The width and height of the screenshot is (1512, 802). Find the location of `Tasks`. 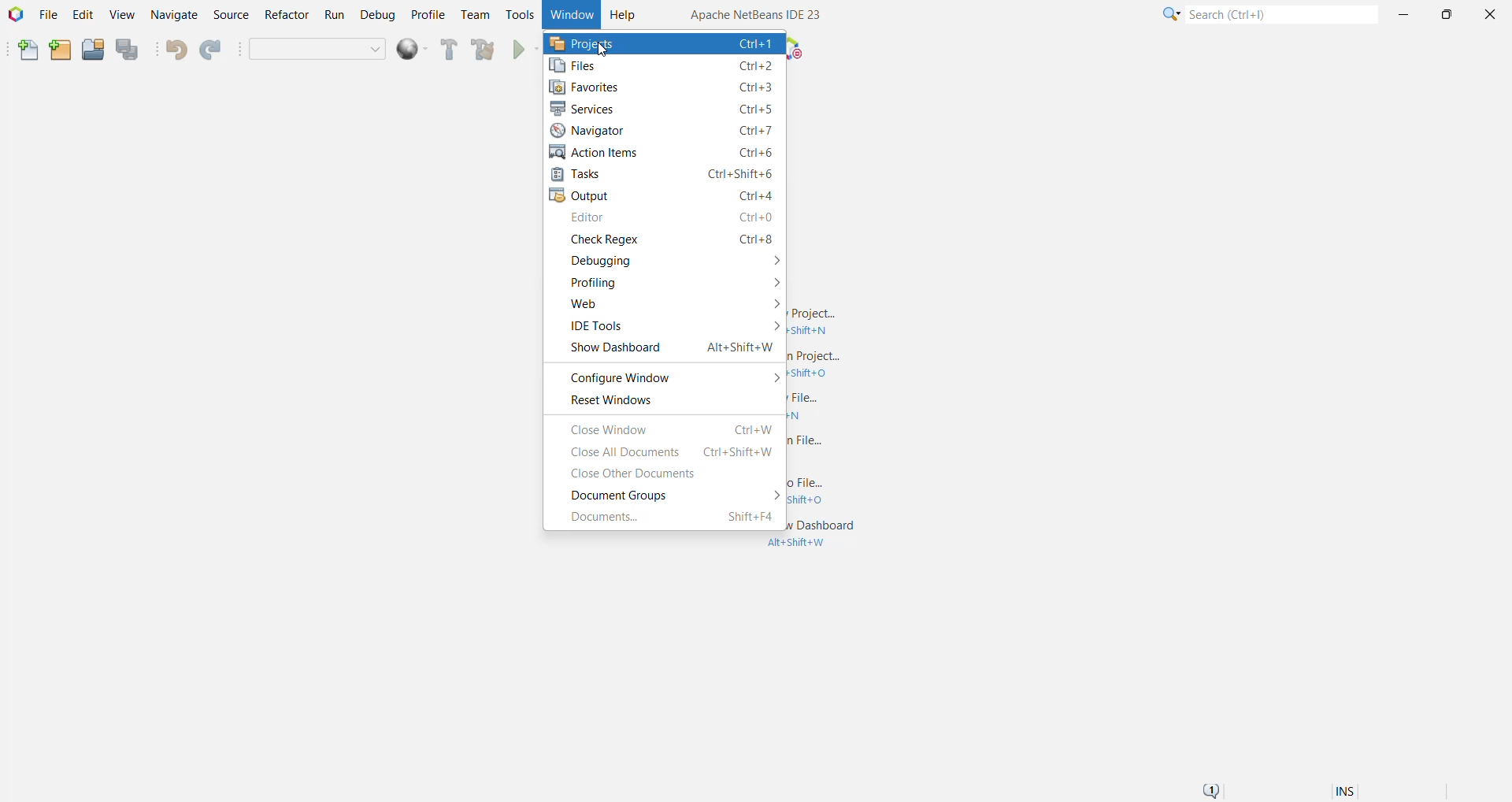

Tasks is located at coordinates (666, 175).